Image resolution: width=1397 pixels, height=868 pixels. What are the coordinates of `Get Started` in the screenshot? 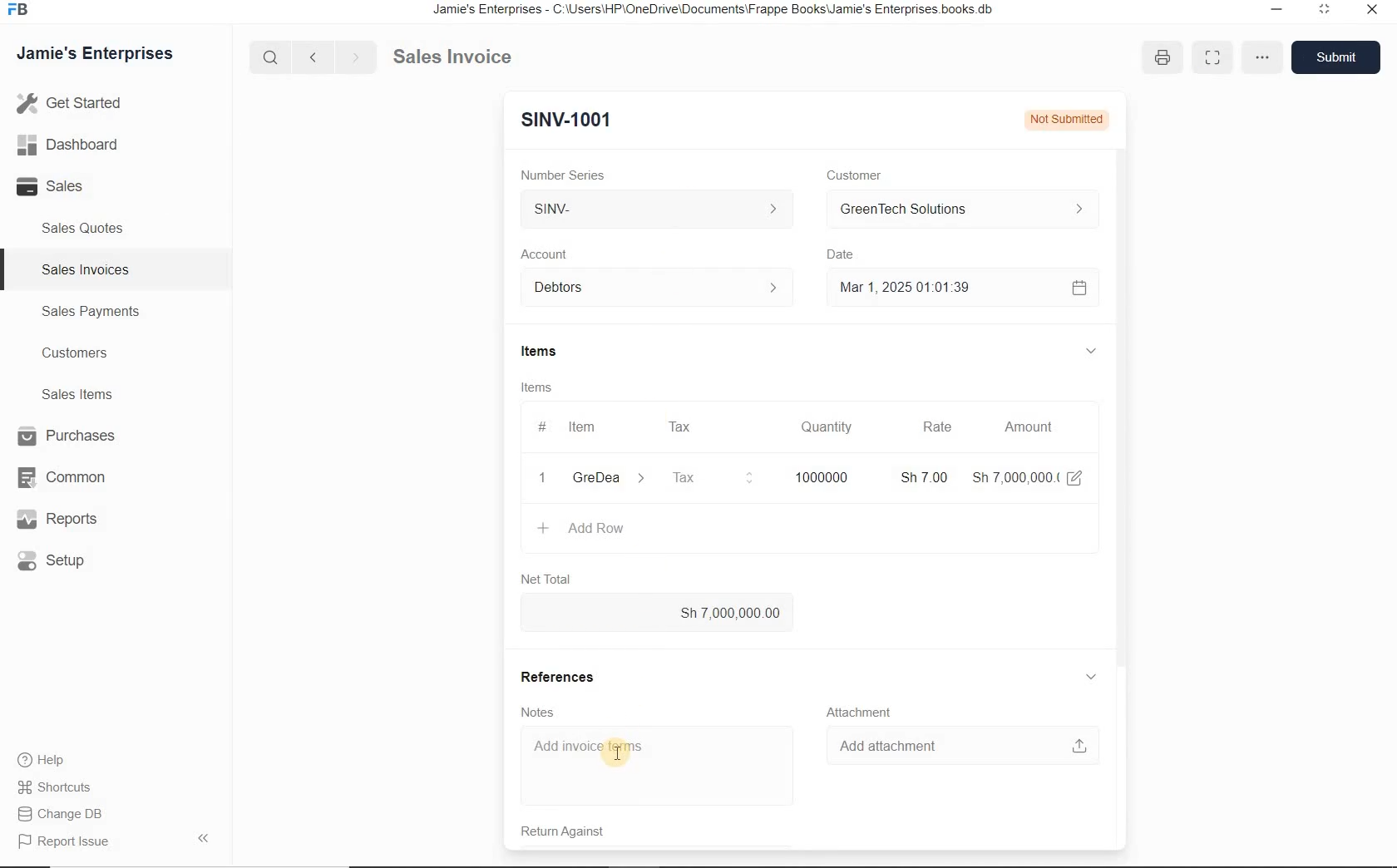 It's located at (70, 105).